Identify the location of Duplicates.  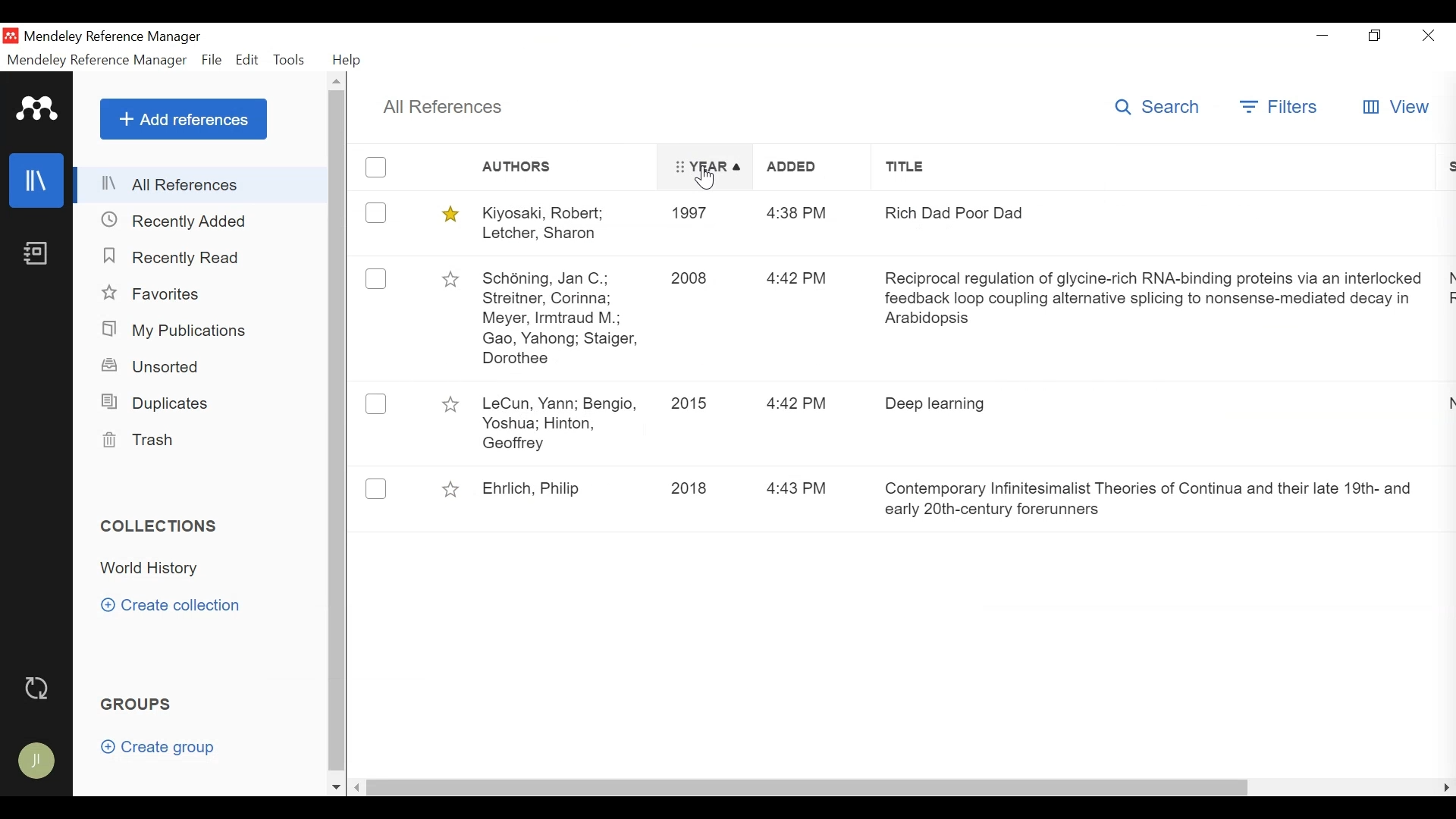
(156, 403).